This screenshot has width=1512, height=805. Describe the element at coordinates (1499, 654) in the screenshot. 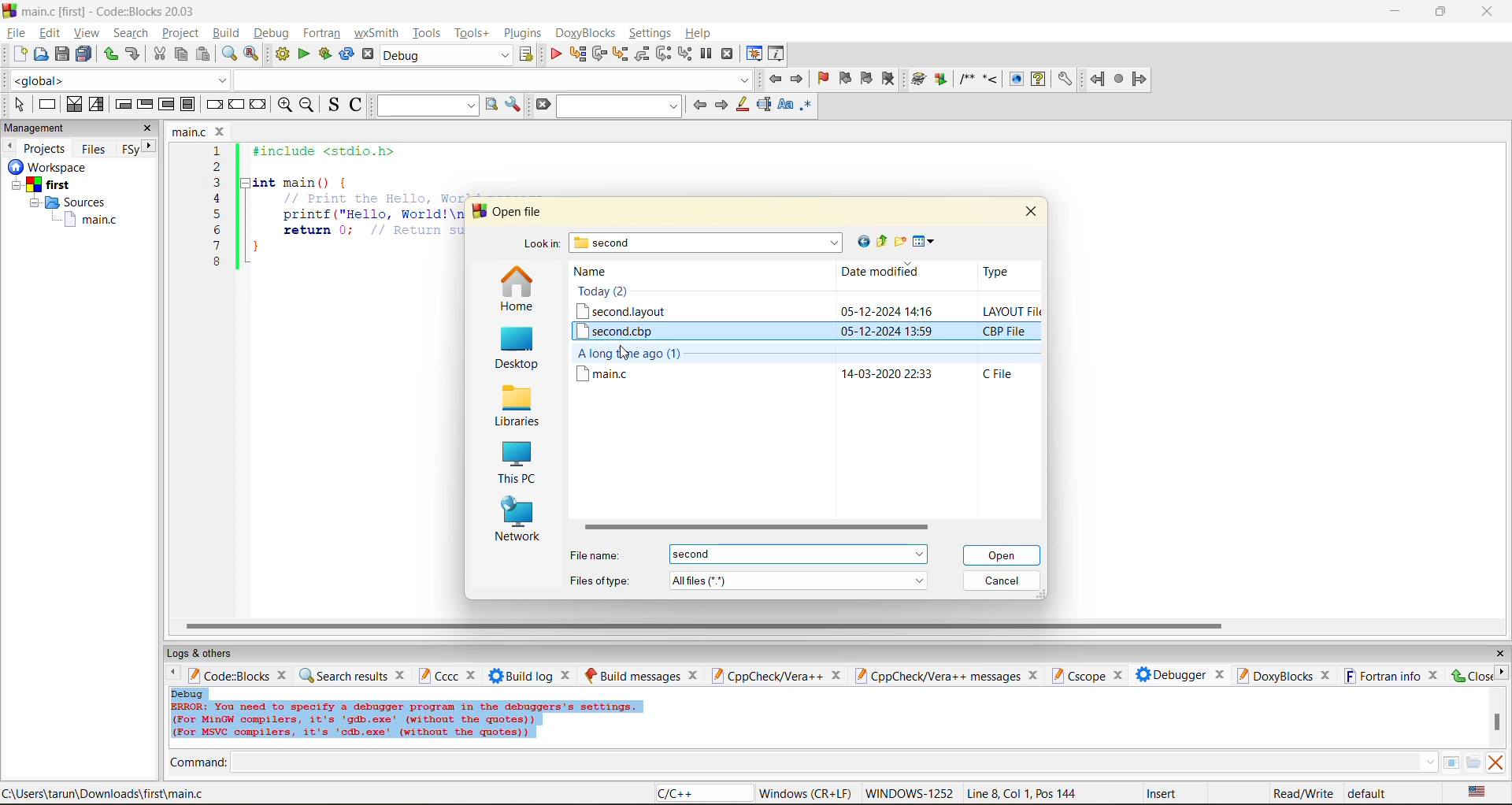

I see `close` at that location.